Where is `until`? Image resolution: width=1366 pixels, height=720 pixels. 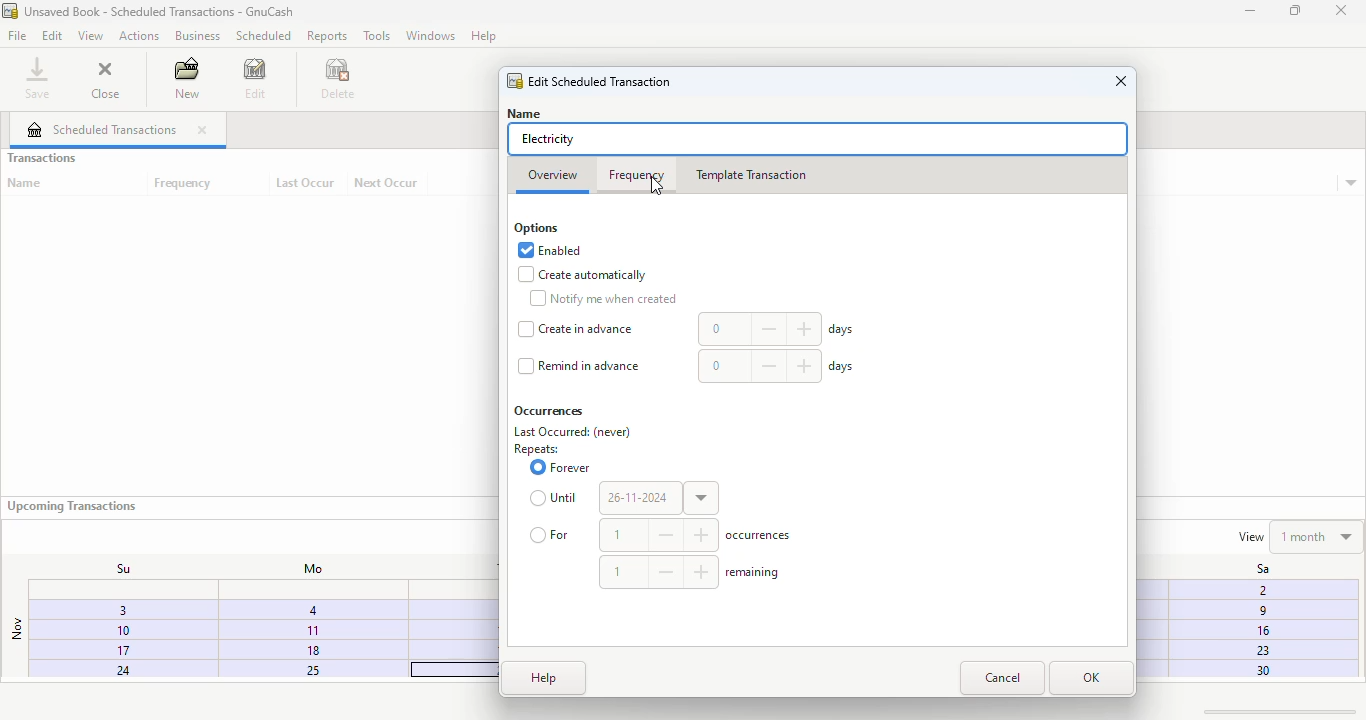
until is located at coordinates (556, 498).